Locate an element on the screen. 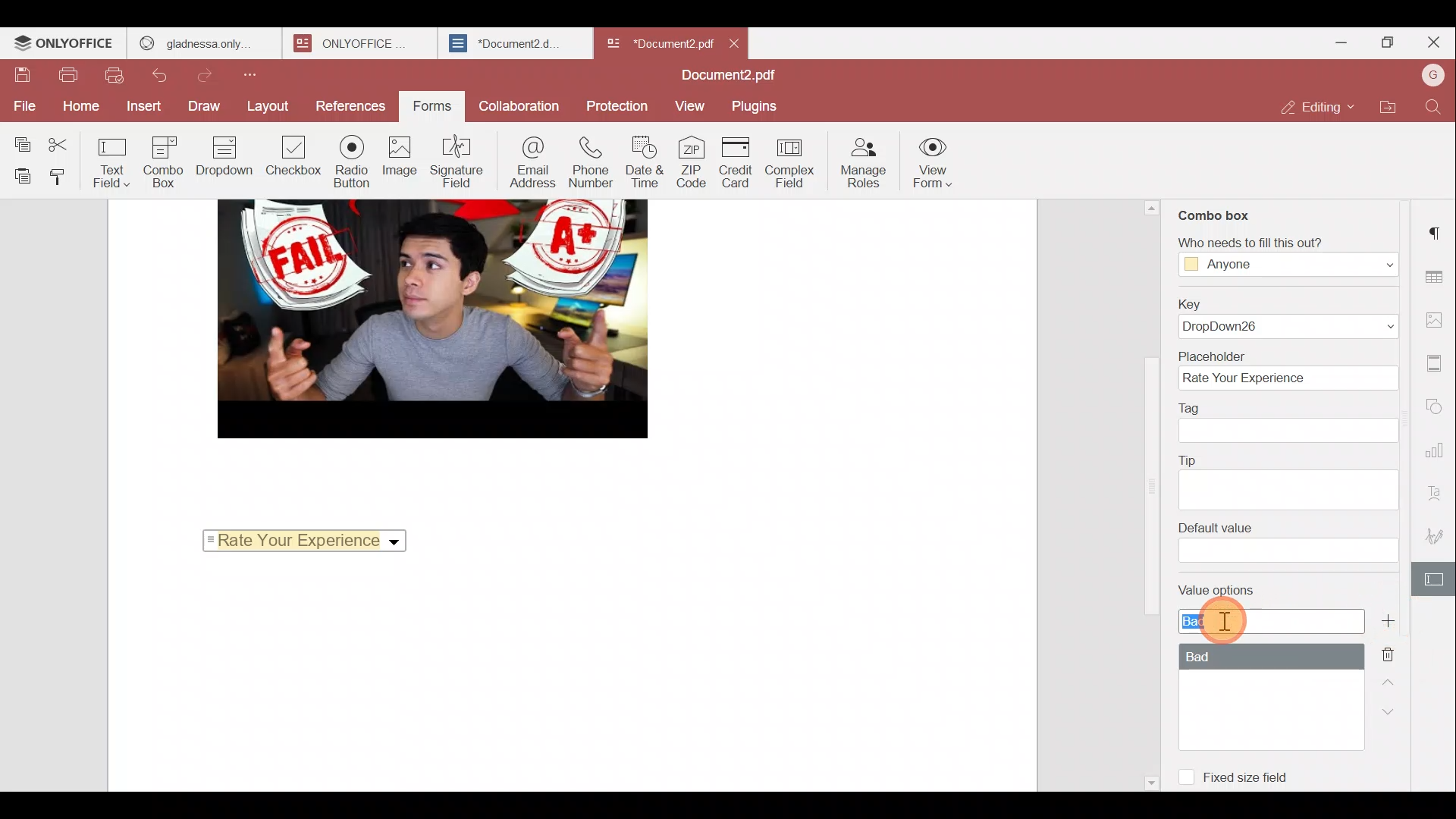  Email address is located at coordinates (531, 162).